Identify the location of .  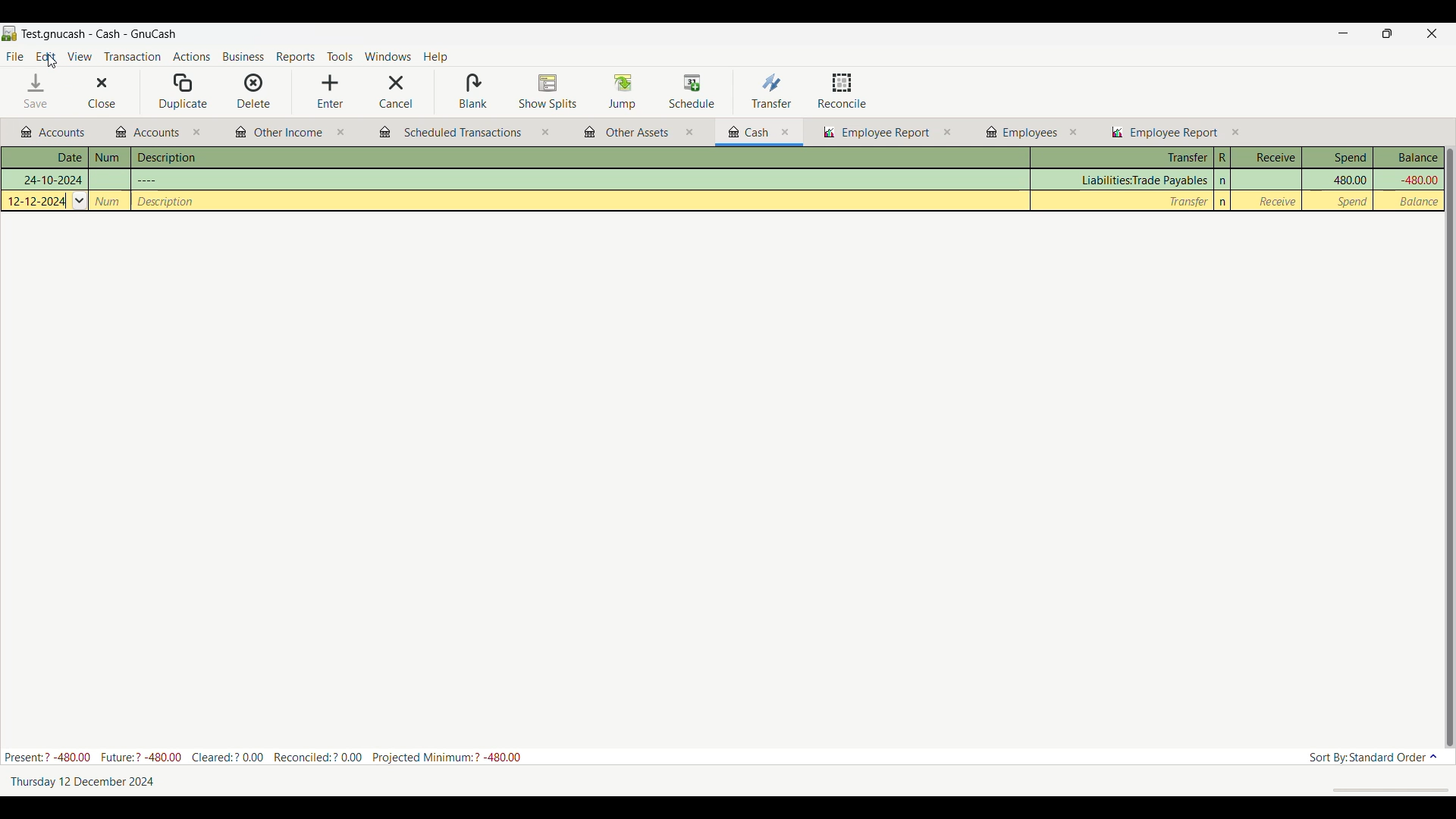
(38, 200).